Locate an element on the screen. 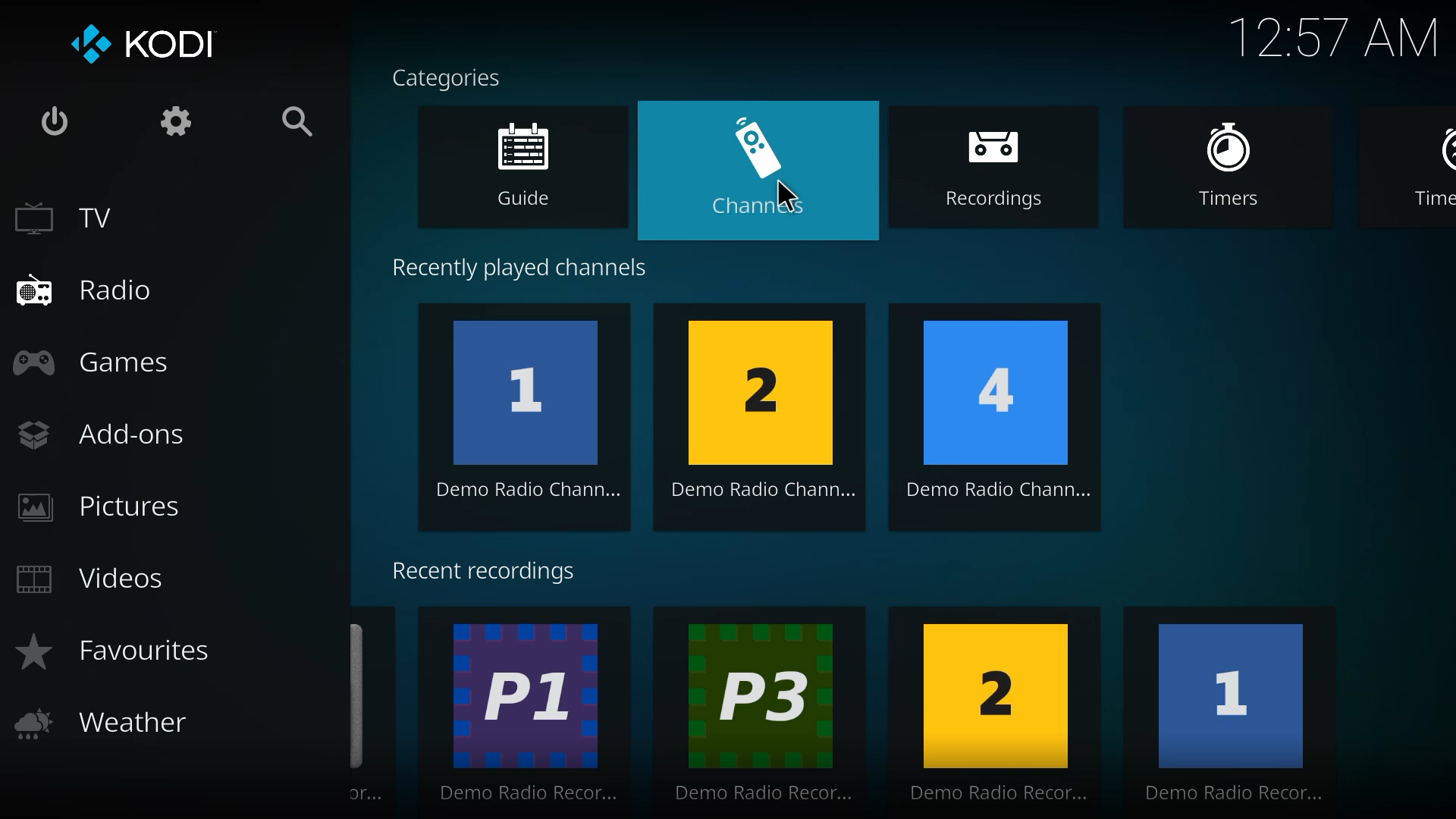  recordings is located at coordinates (1006, 171).